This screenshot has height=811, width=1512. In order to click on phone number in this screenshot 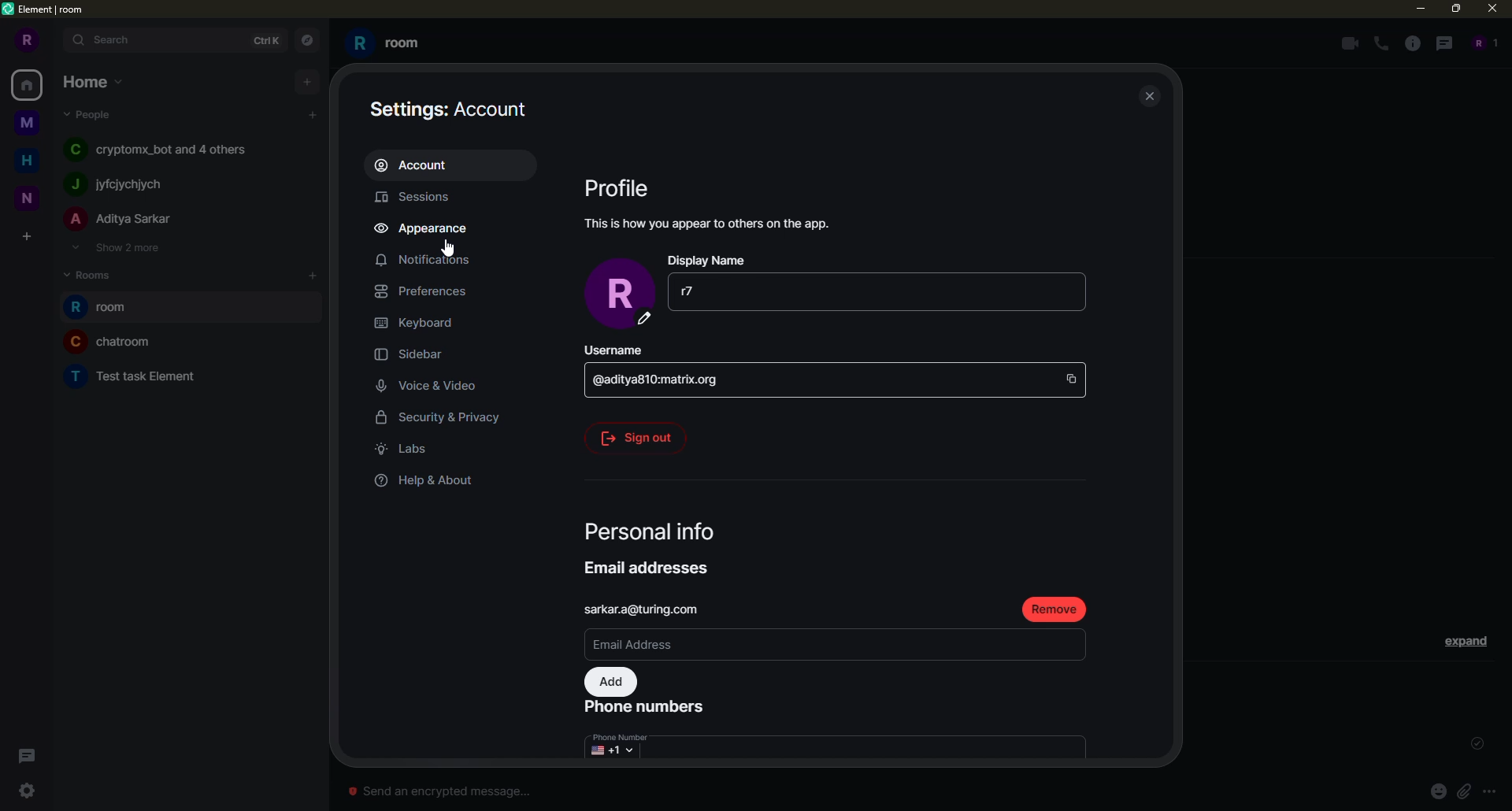, I will do `click(643, 705)`.